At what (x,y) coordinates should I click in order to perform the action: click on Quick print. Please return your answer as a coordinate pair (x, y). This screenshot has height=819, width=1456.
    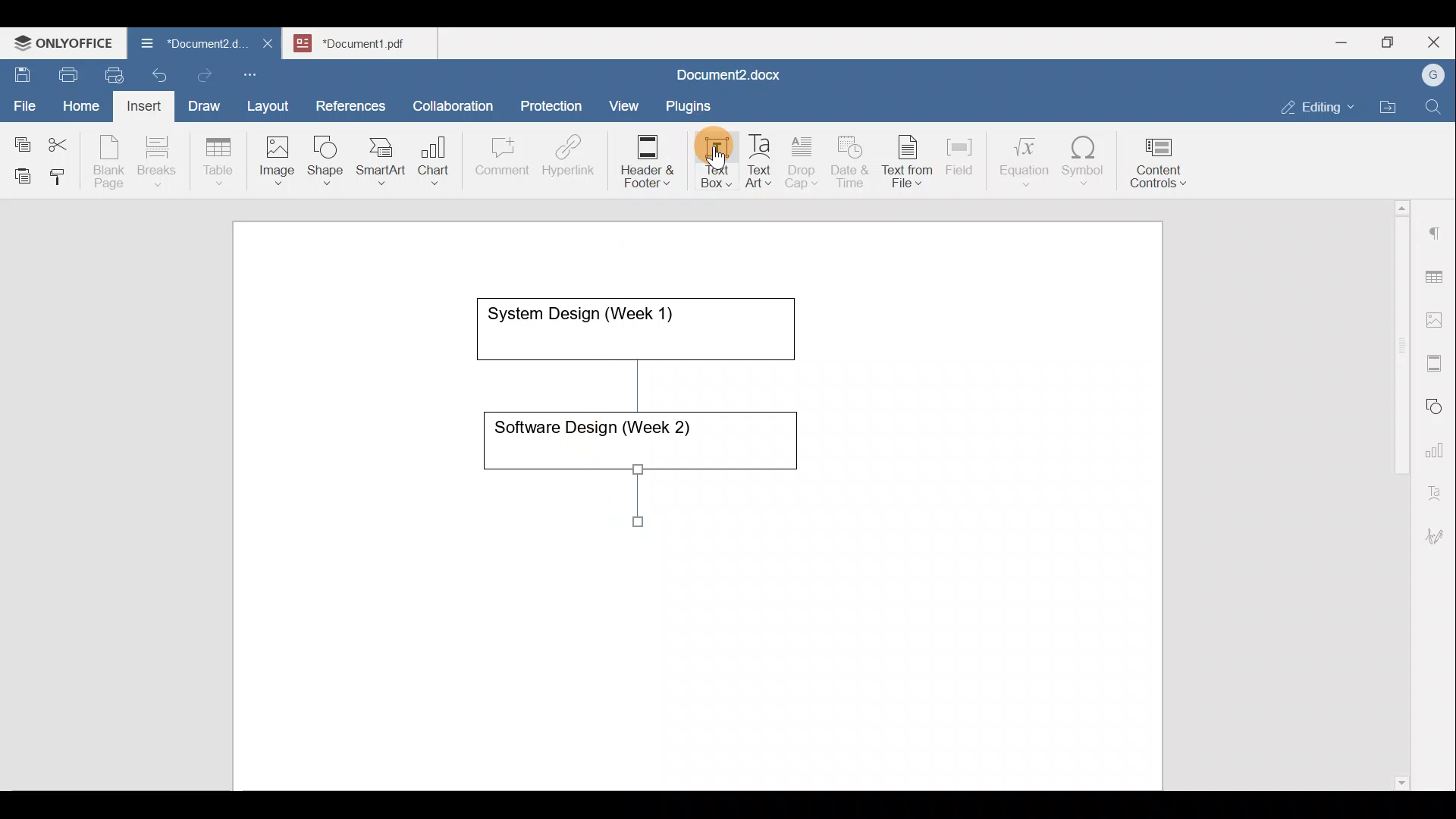
    Looking at the image, I should click on (110, 73).